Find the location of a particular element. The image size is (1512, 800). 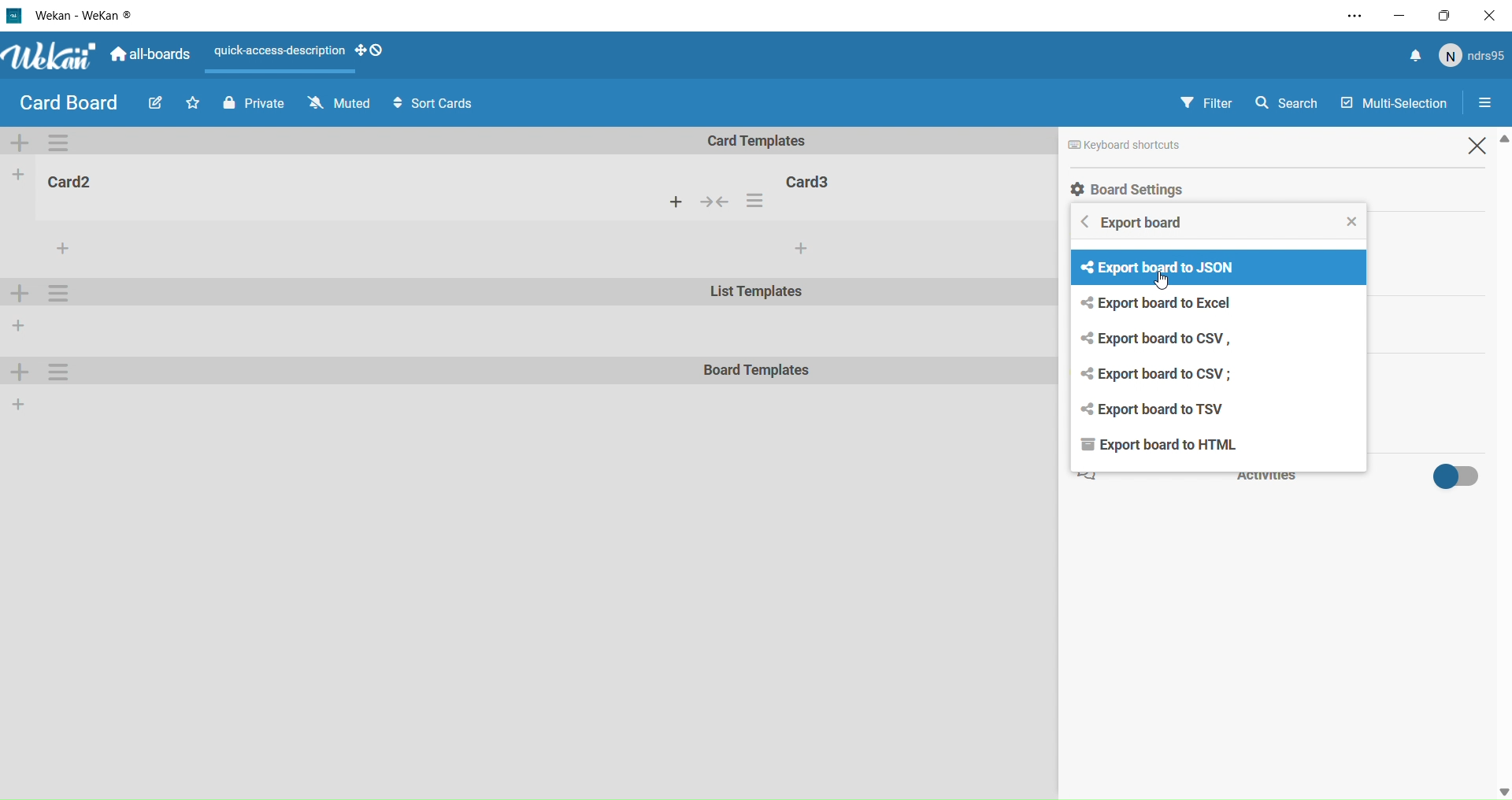

collapse is located at coordinates (719, 202).